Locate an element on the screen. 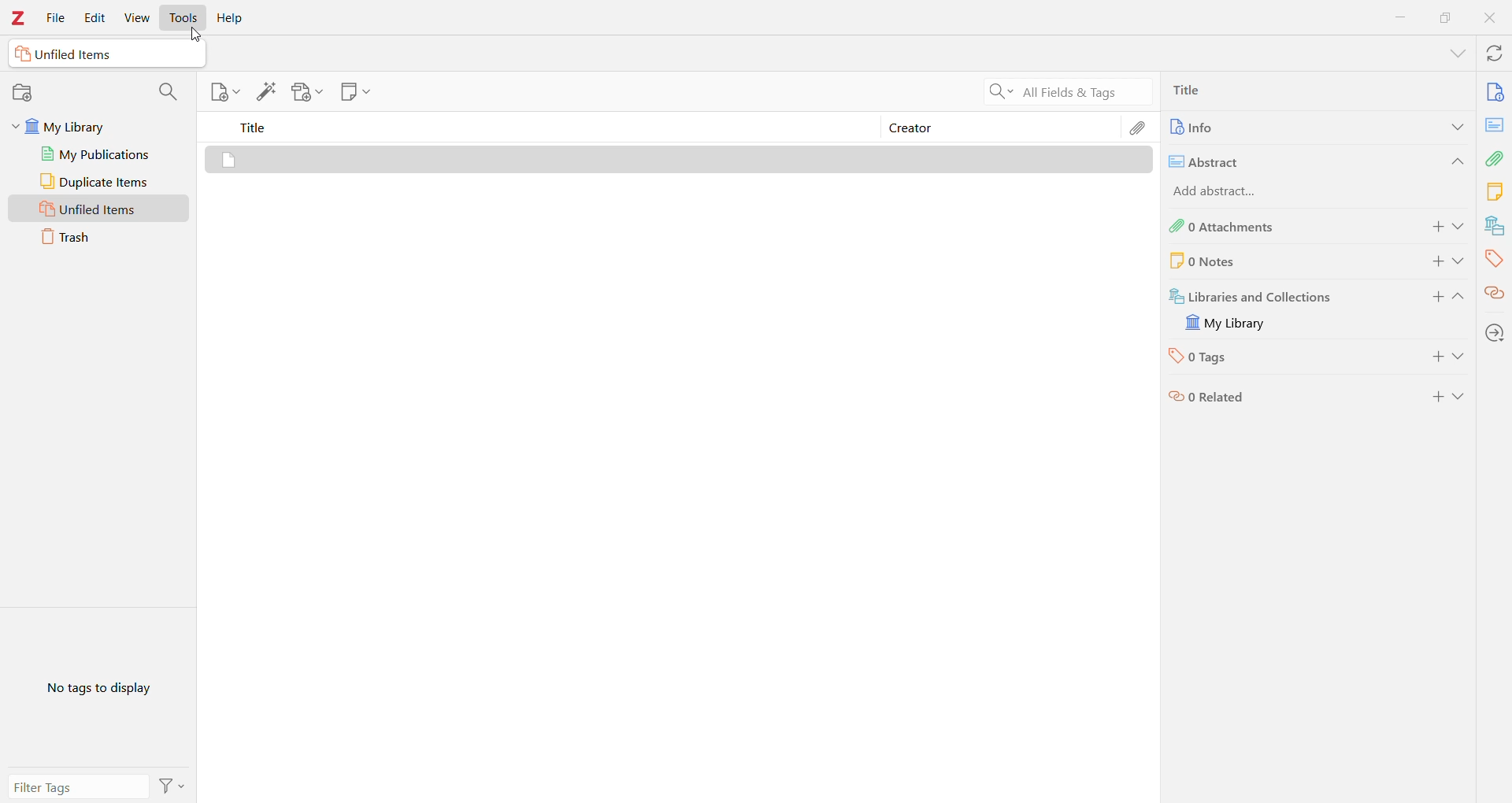 This screenshot has height=803, width=1512. Title is located at coordinates (539, 129).